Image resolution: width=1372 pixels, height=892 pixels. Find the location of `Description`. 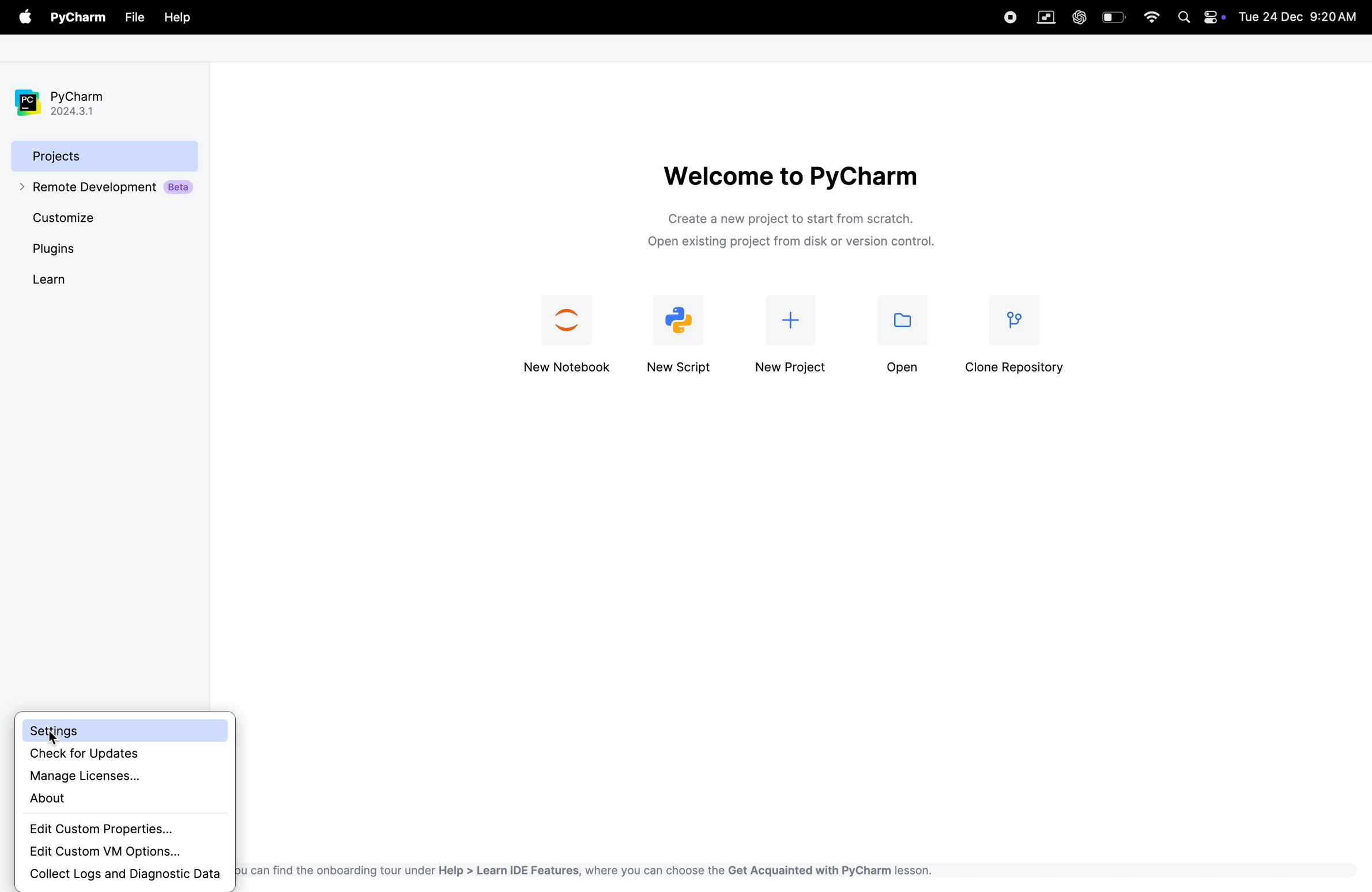

Description is located at coordinates (797, 233).